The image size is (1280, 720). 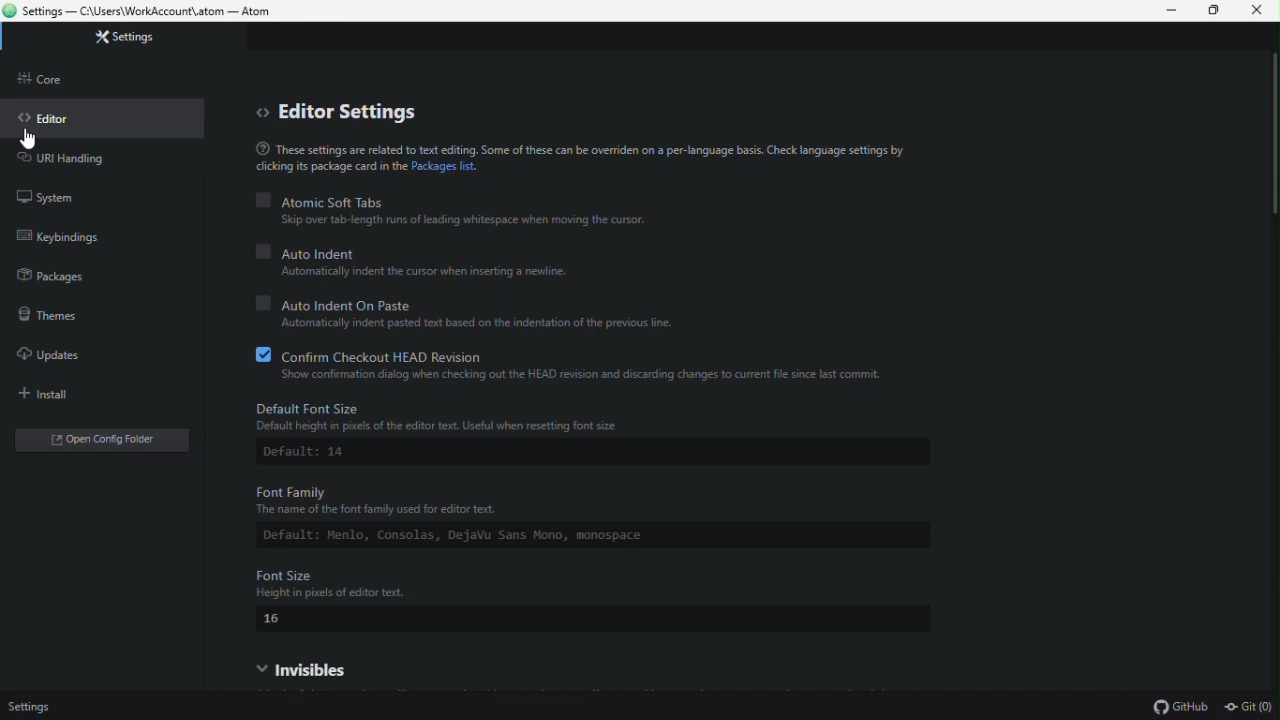 What do you see at coordinates (491, 305) in the screenshot?
I see `Auto indent on paste` at bounding box center [491, 305].